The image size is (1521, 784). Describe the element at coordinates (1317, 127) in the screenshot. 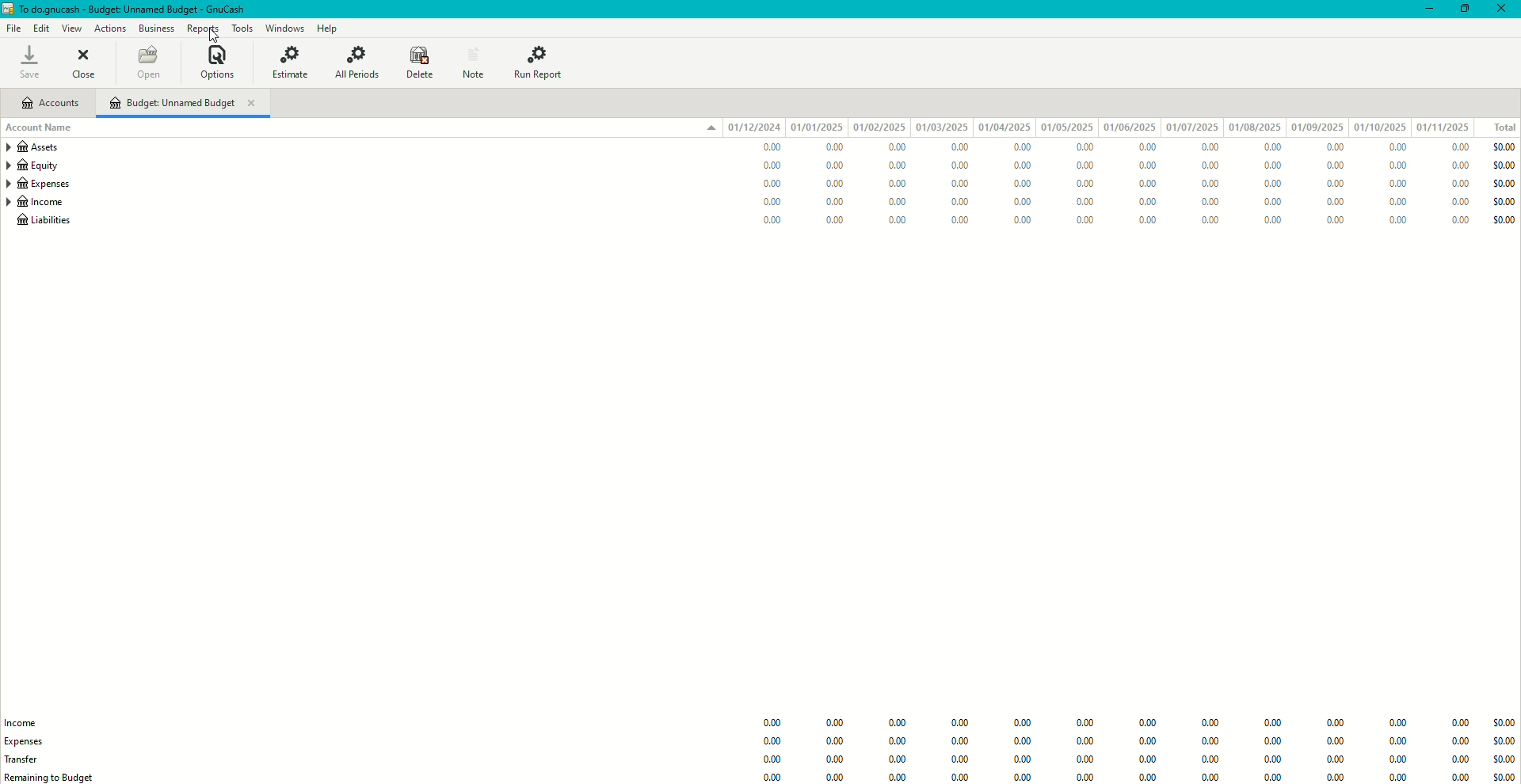

I see `01/09/2025` at that location.